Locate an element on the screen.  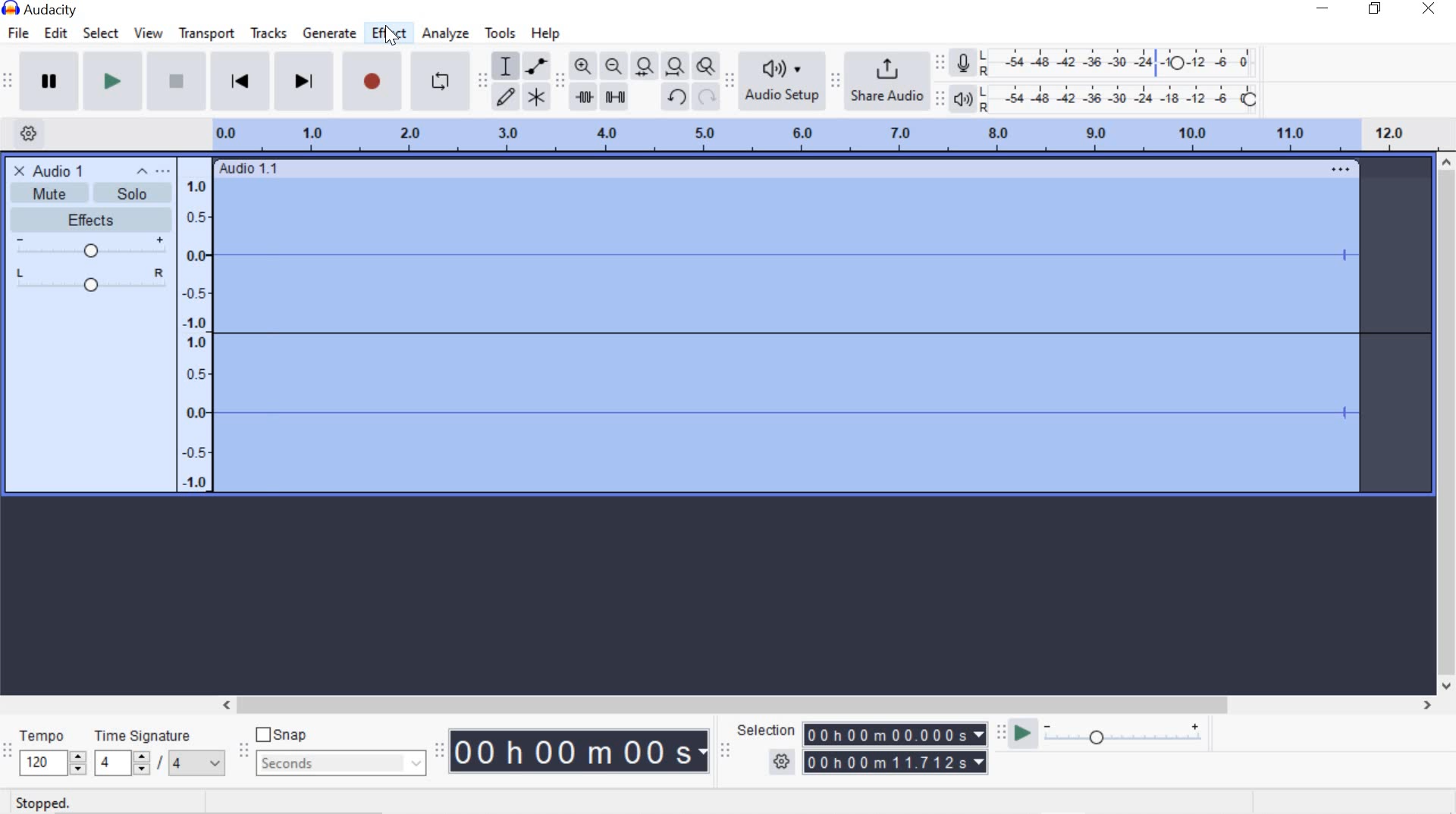
scrollbar is located at coordinates (1447, 424).